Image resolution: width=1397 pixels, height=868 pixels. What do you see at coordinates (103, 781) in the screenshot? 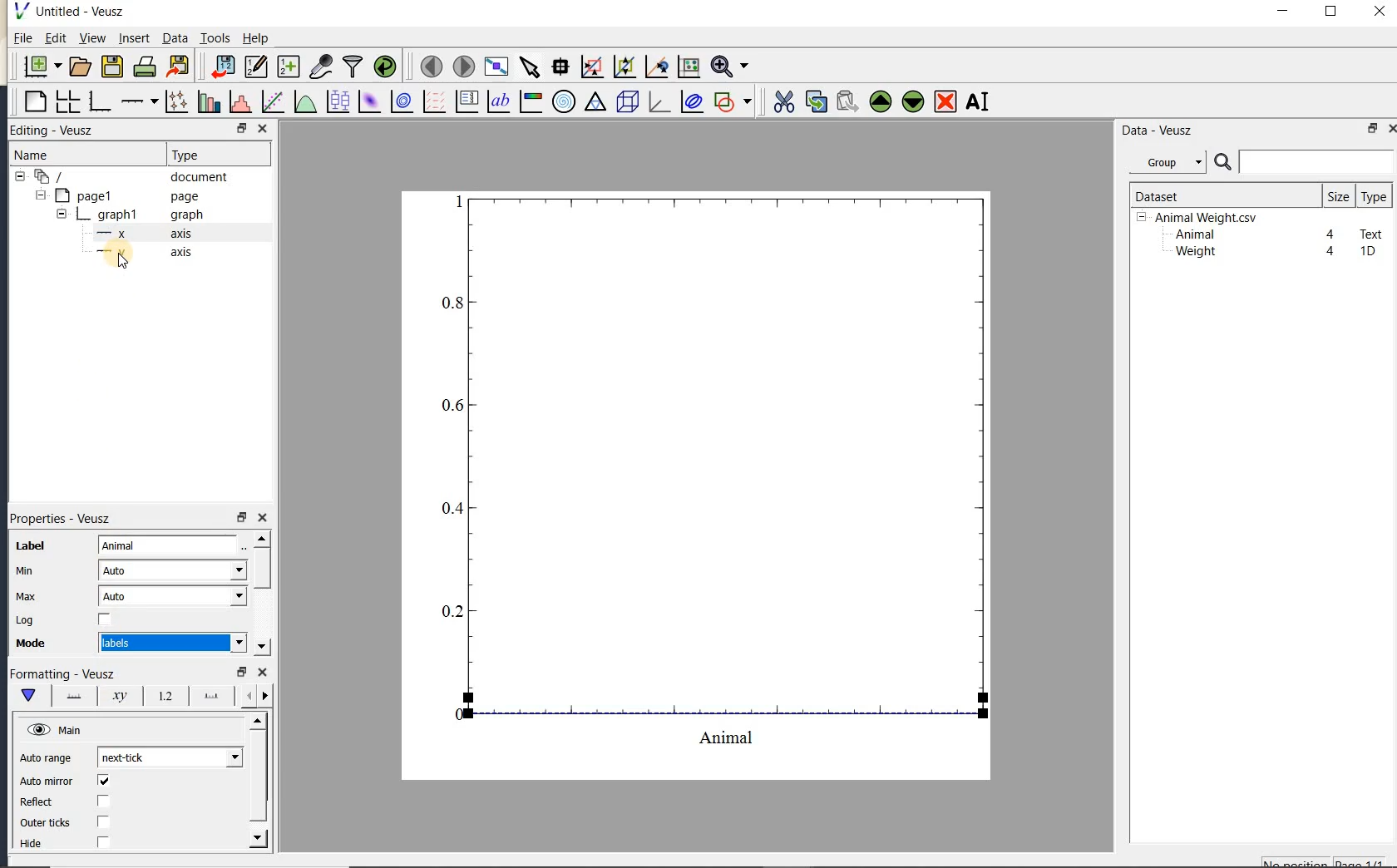
I see `check/uncheck` at bounding box center [103, 781].